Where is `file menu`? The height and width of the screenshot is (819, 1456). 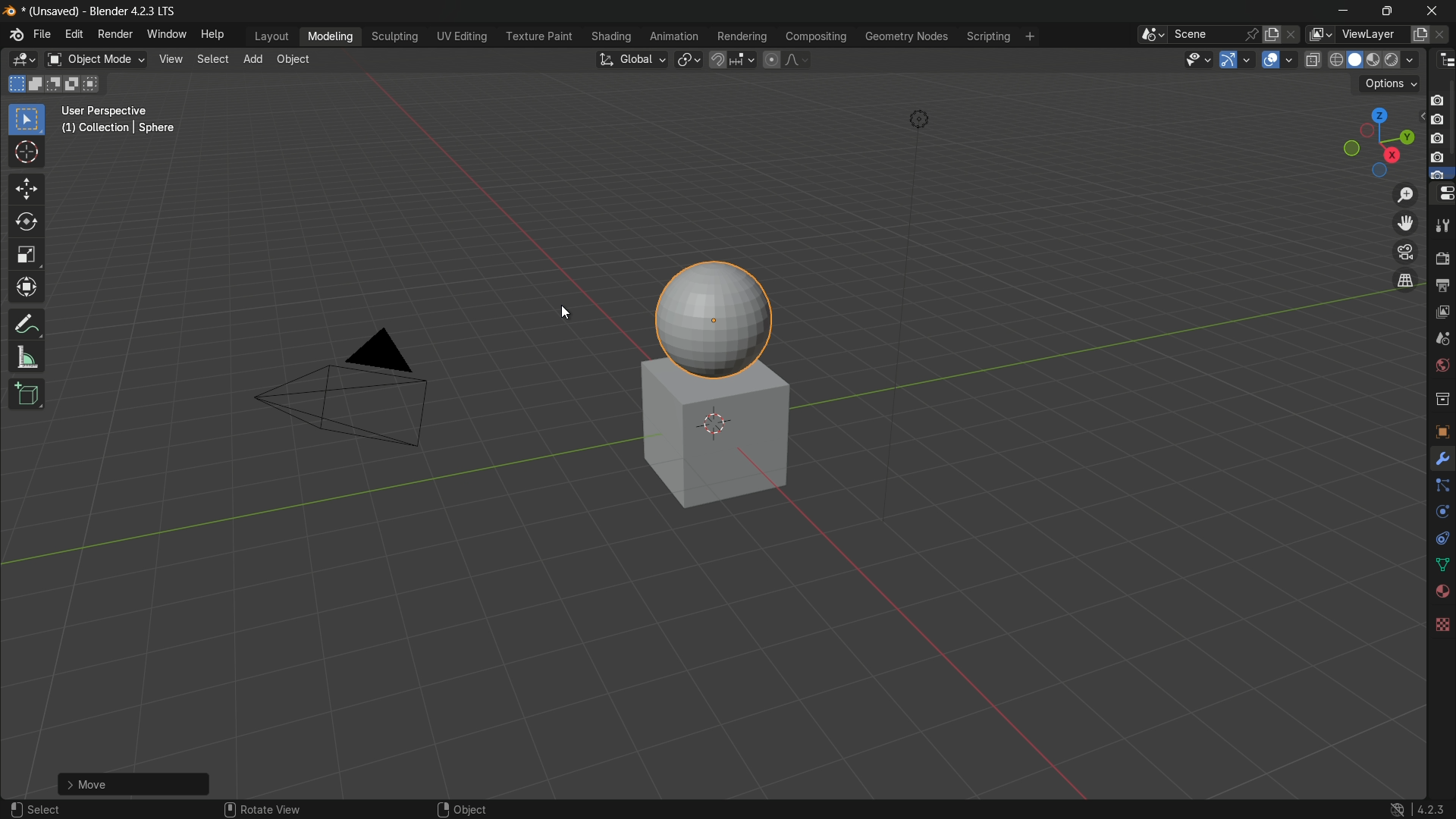
file menu is located at coordinates (43, 35).